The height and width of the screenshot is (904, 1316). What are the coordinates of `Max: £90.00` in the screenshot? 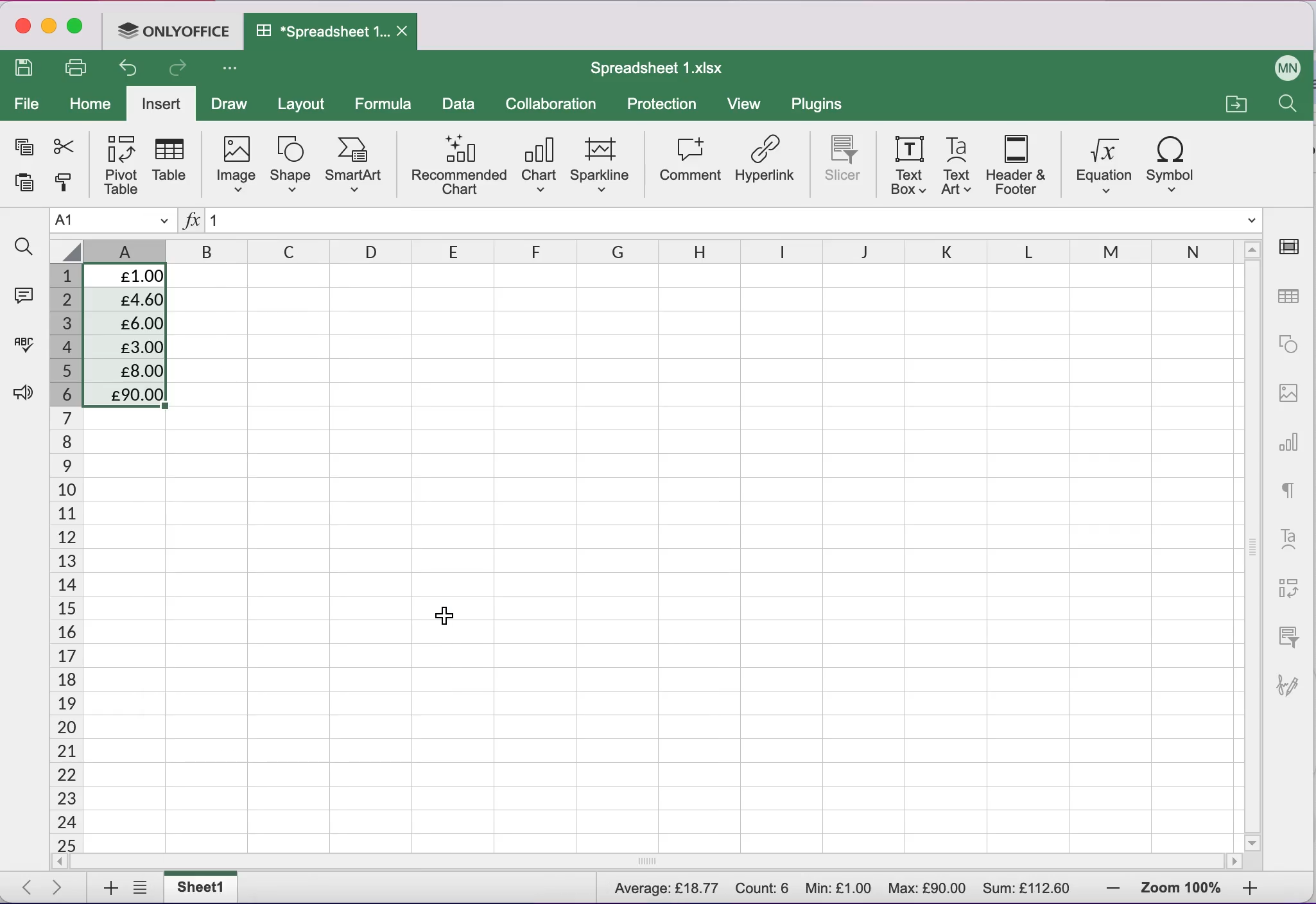 It's located at (924, 887).